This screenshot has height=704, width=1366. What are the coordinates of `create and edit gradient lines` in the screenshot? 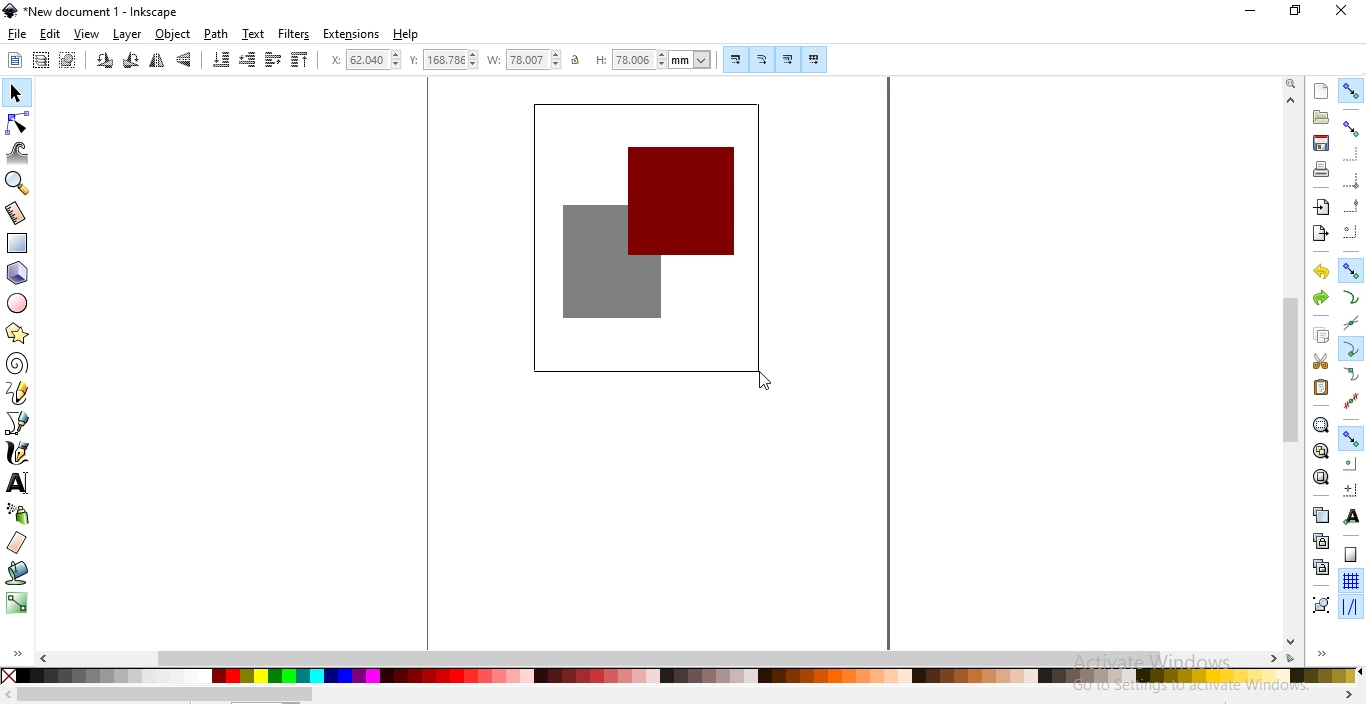 It's located at (15, 601).